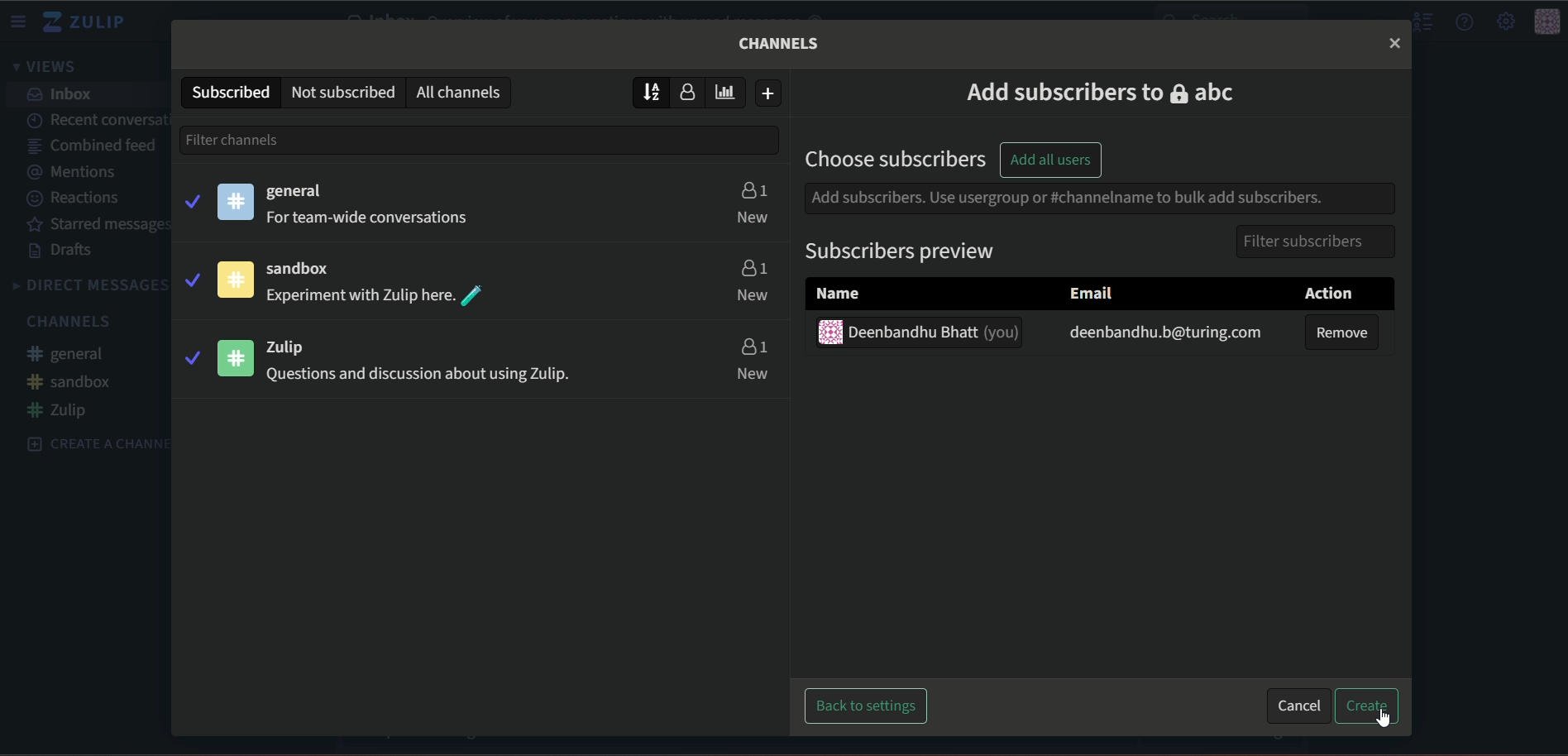 The image size is (1568, 756). What do you see at coordinates (753, 296) in the screenshot?
I see `new` at bounding box center [753, 296].